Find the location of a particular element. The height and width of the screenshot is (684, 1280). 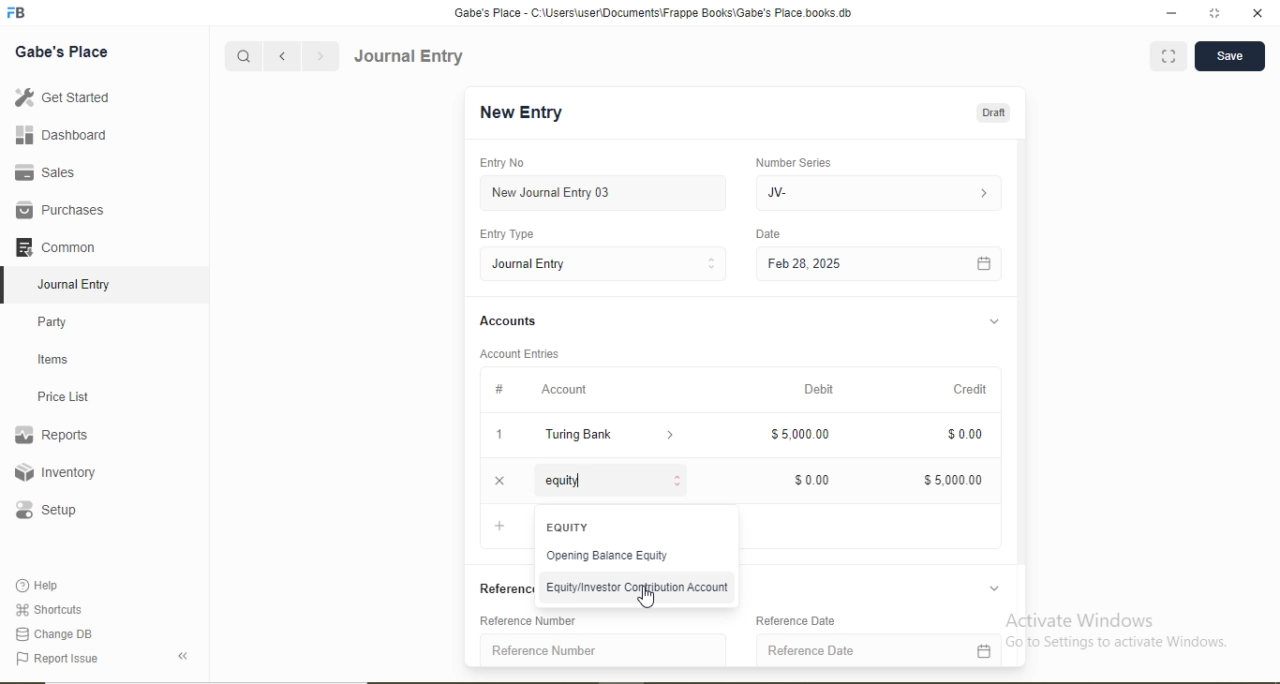

Calendar is located at coordinates (984, 265).